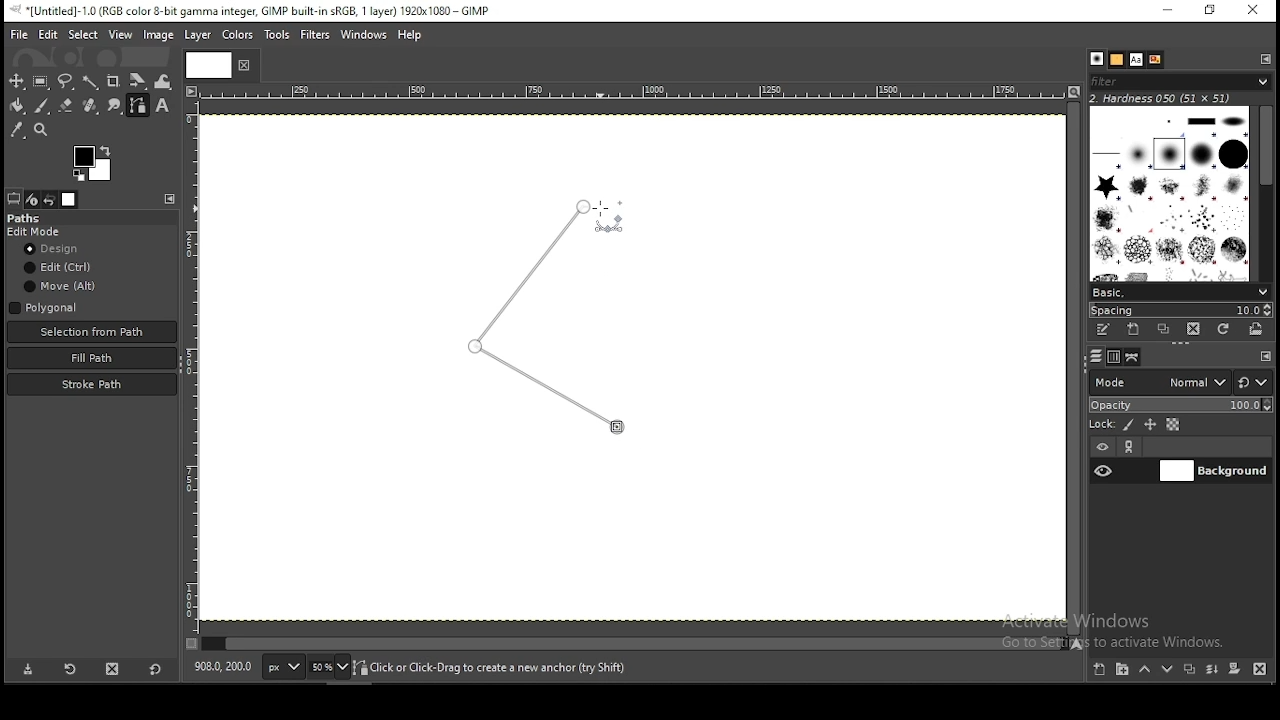  Describe the element at coordinates (494, 666) in the screenshot. I see `click or click-drag to create a new anchor (try shift)` at that location.